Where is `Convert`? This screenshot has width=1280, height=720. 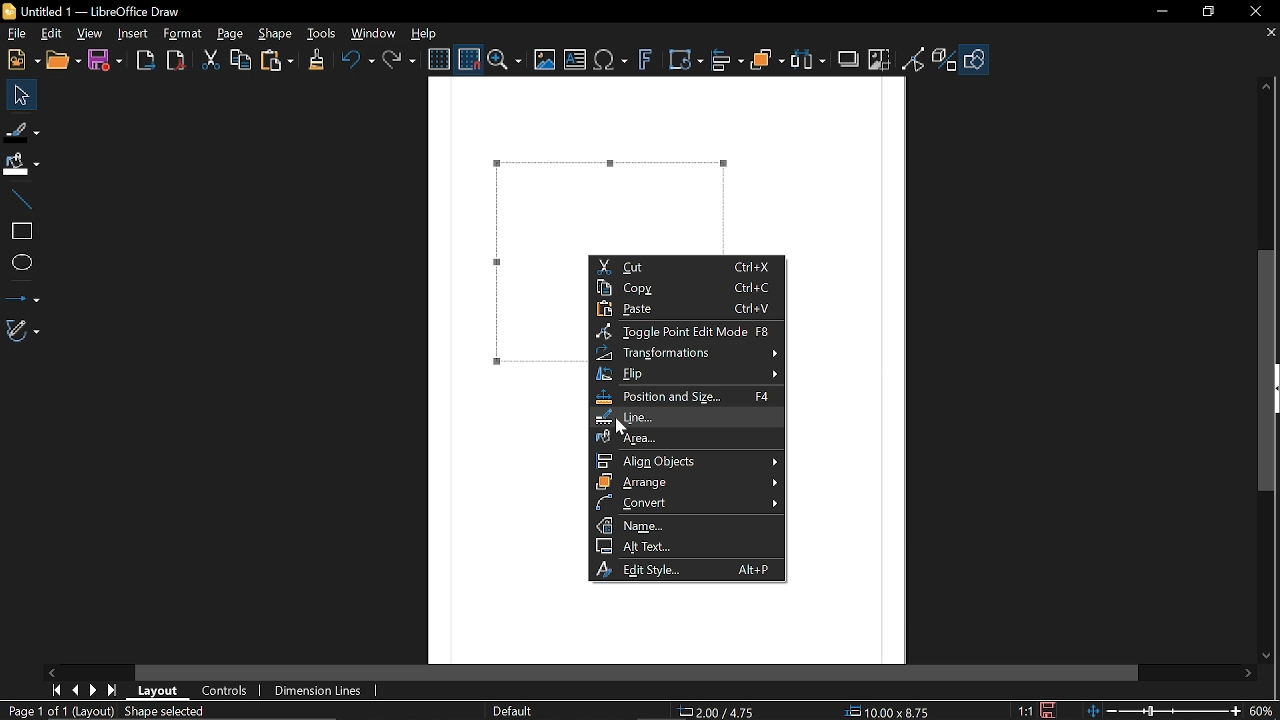 Convert is located at coordinates (686, 503).